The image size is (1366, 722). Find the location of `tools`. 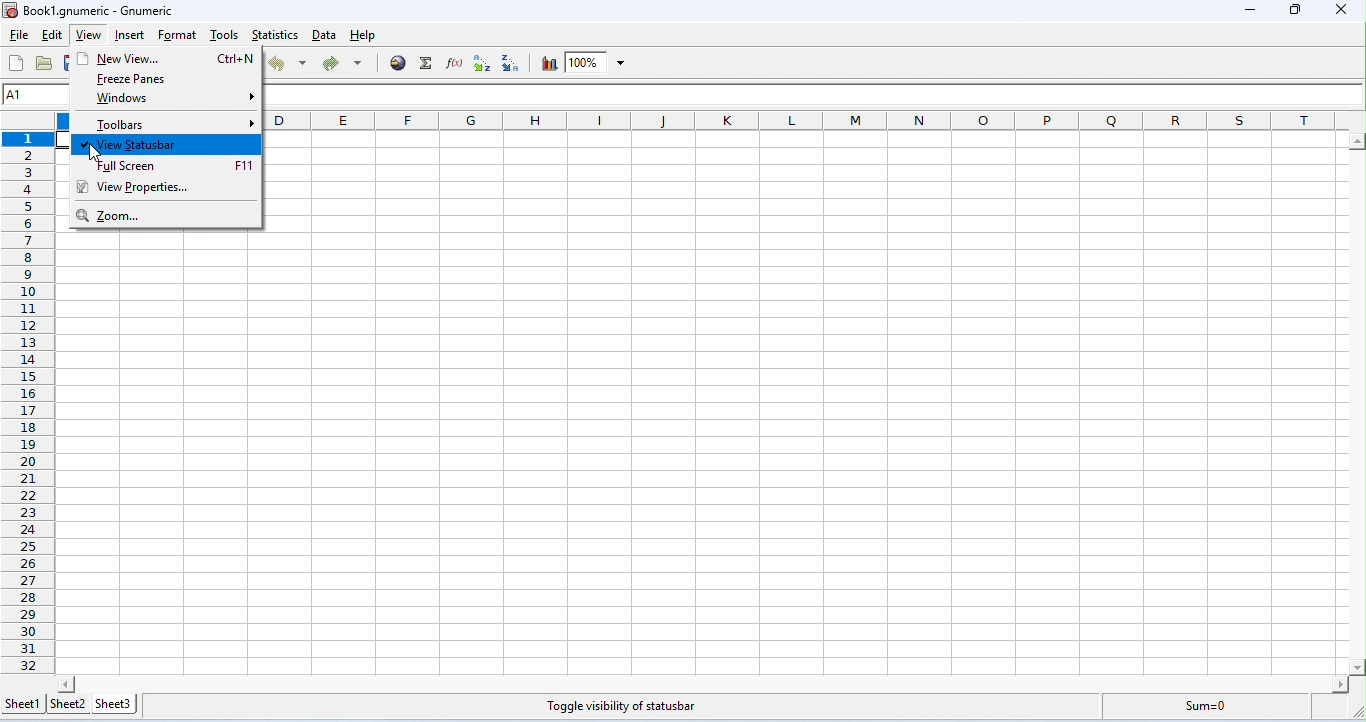

tools is located at coordinates (224, 36).